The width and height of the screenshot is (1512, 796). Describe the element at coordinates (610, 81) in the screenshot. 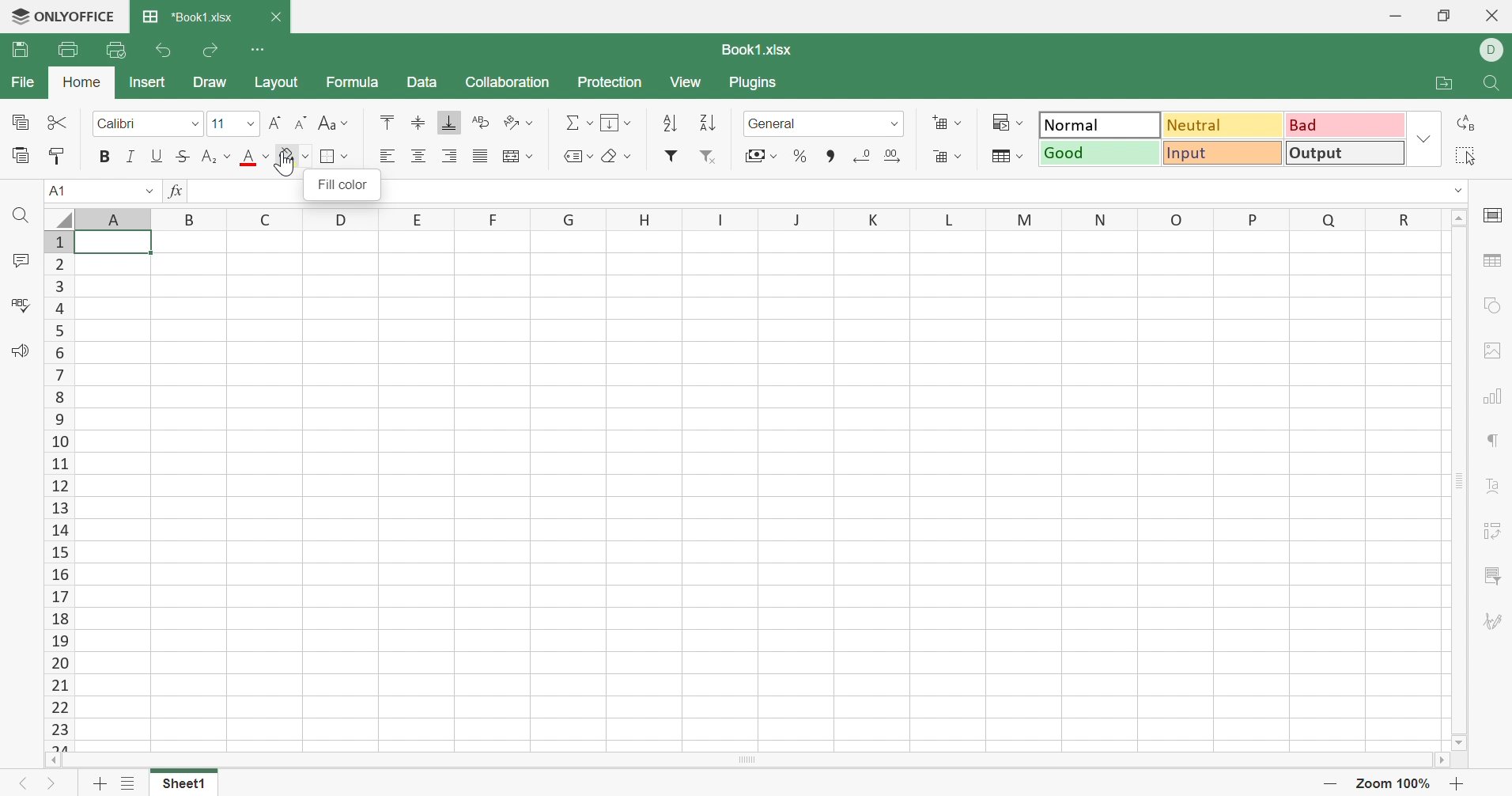

I see `Protection` at that location.